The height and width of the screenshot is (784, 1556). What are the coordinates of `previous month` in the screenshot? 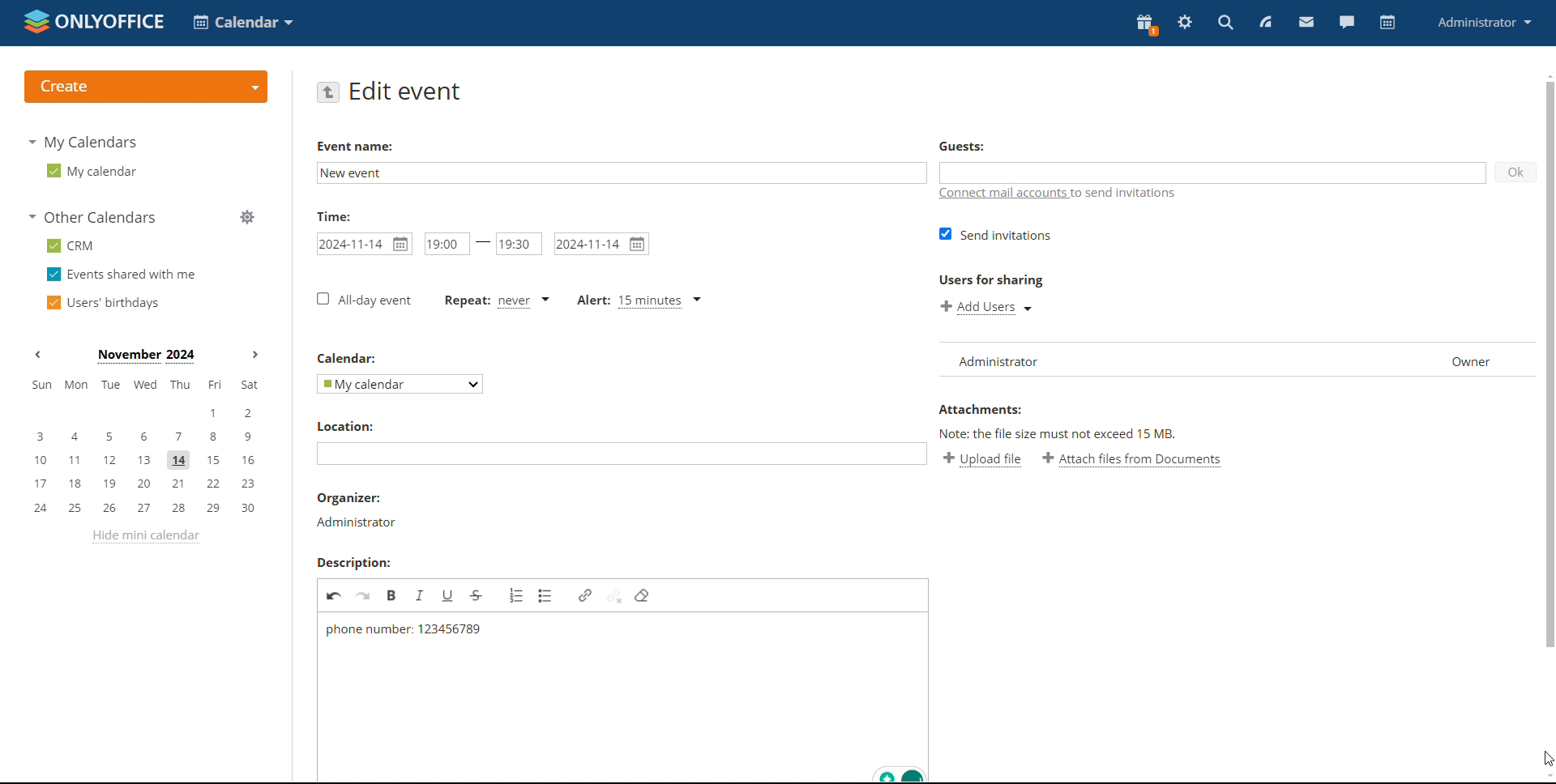 It's located at (38, 356).